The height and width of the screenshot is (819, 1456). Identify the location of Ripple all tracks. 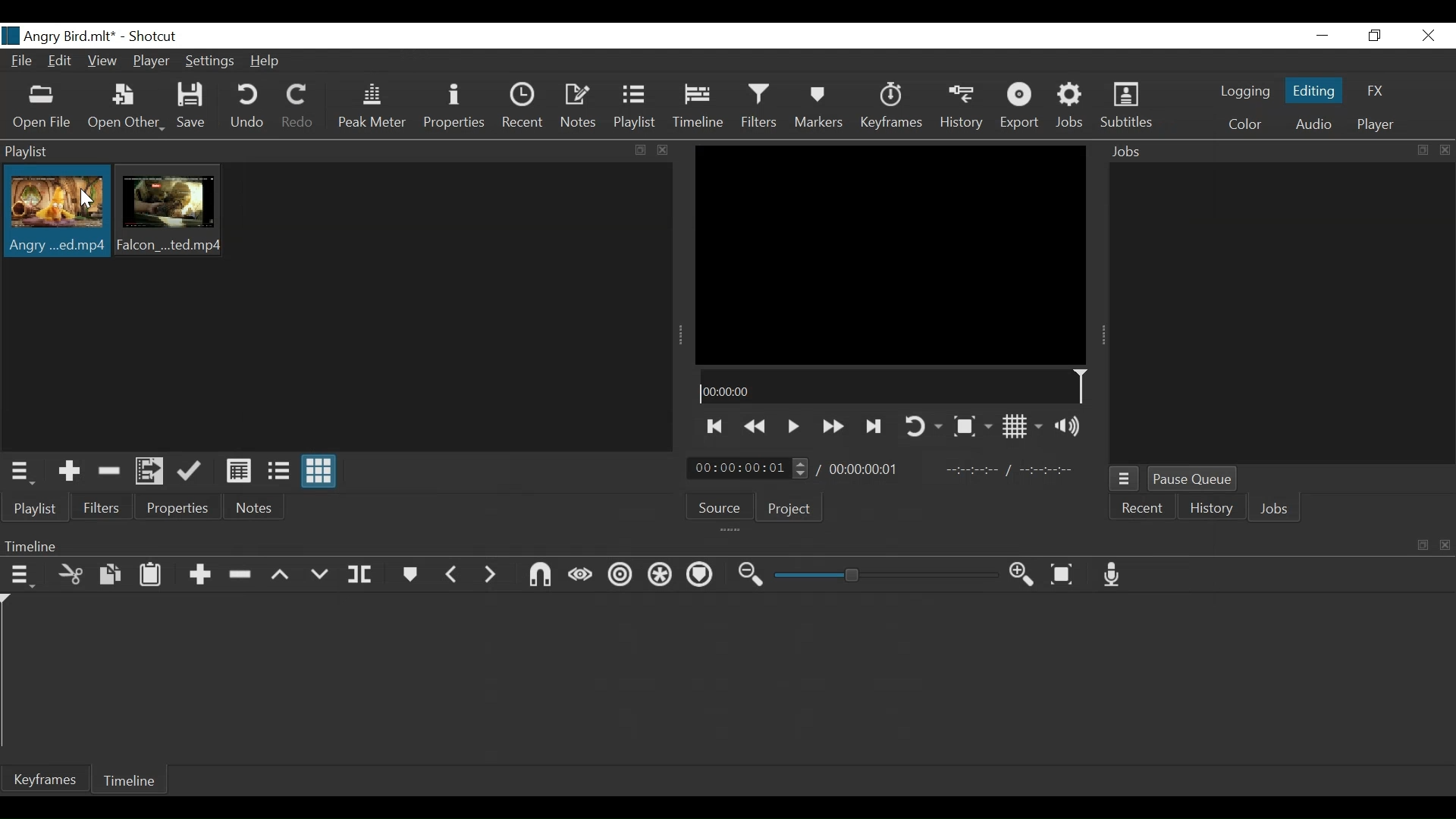
(658, 575).